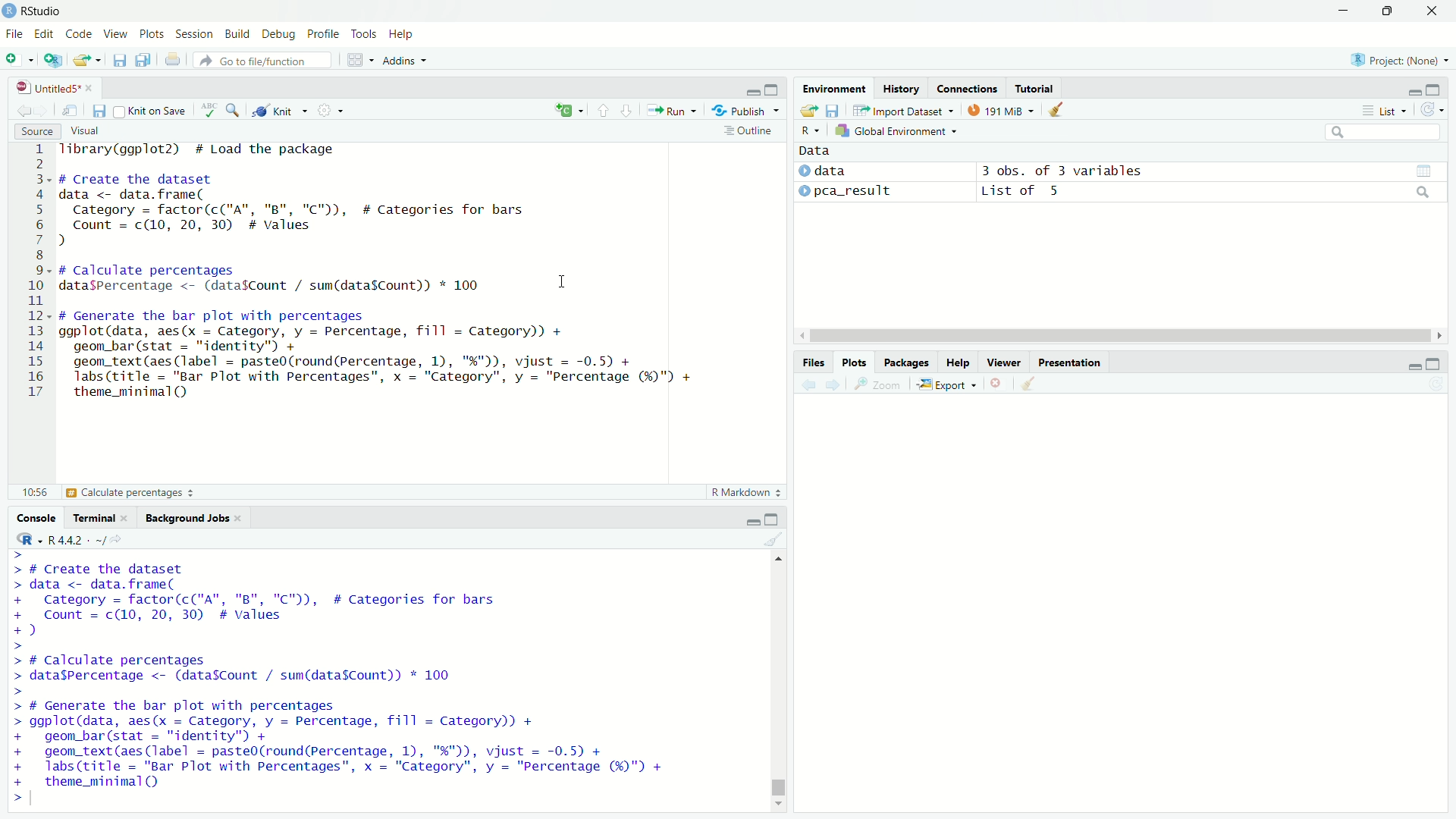 The image size is (1456, 819). Describe the element at coordinates (38, 272) in the screenshot. I see `lines` at that location.